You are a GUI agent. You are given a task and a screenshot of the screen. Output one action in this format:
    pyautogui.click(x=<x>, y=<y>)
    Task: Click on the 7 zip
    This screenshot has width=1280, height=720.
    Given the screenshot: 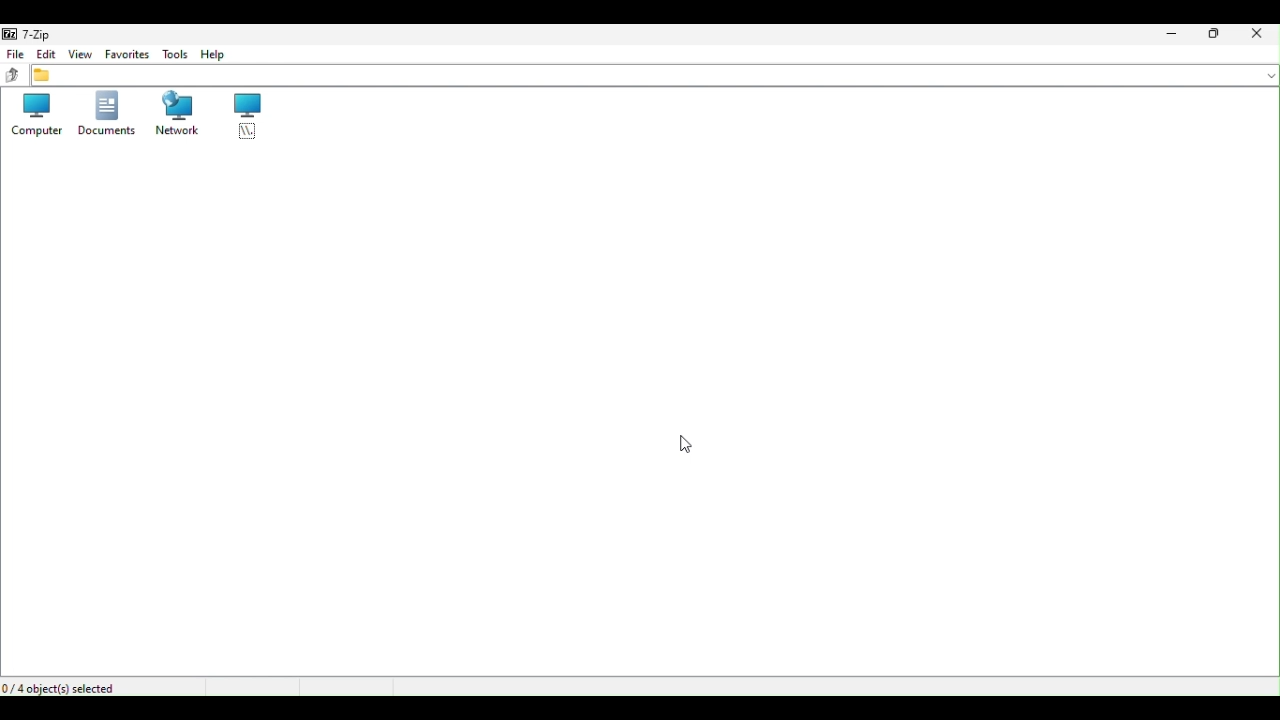 What is the action you would take?
    pyautogui.click(x=31, y=33)
    